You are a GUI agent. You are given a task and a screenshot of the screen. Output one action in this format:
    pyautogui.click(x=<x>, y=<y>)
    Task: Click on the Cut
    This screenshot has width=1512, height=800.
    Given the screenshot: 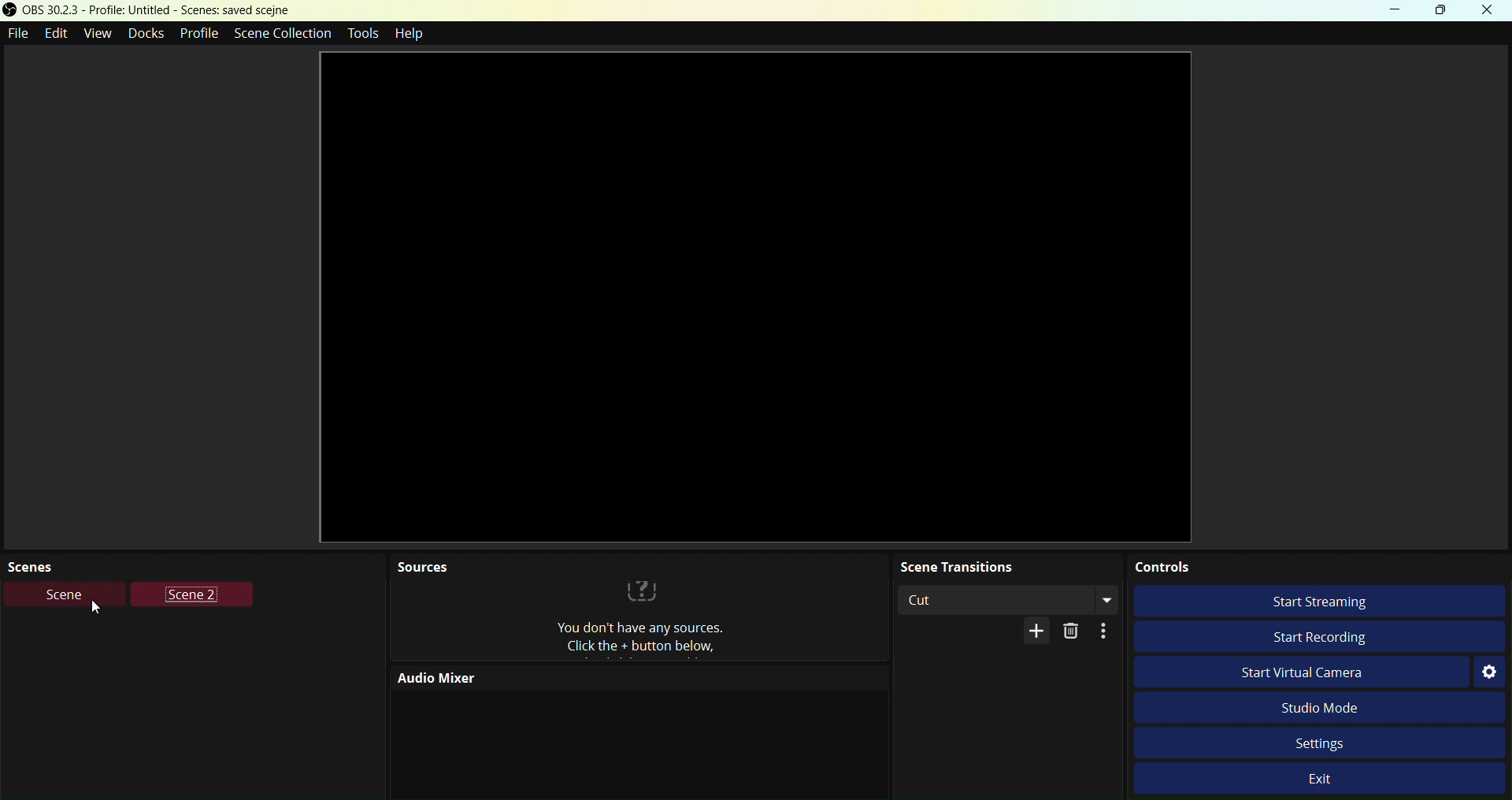 What is the action you would take?
    pyautogui.click(x=1007, y=599)
    